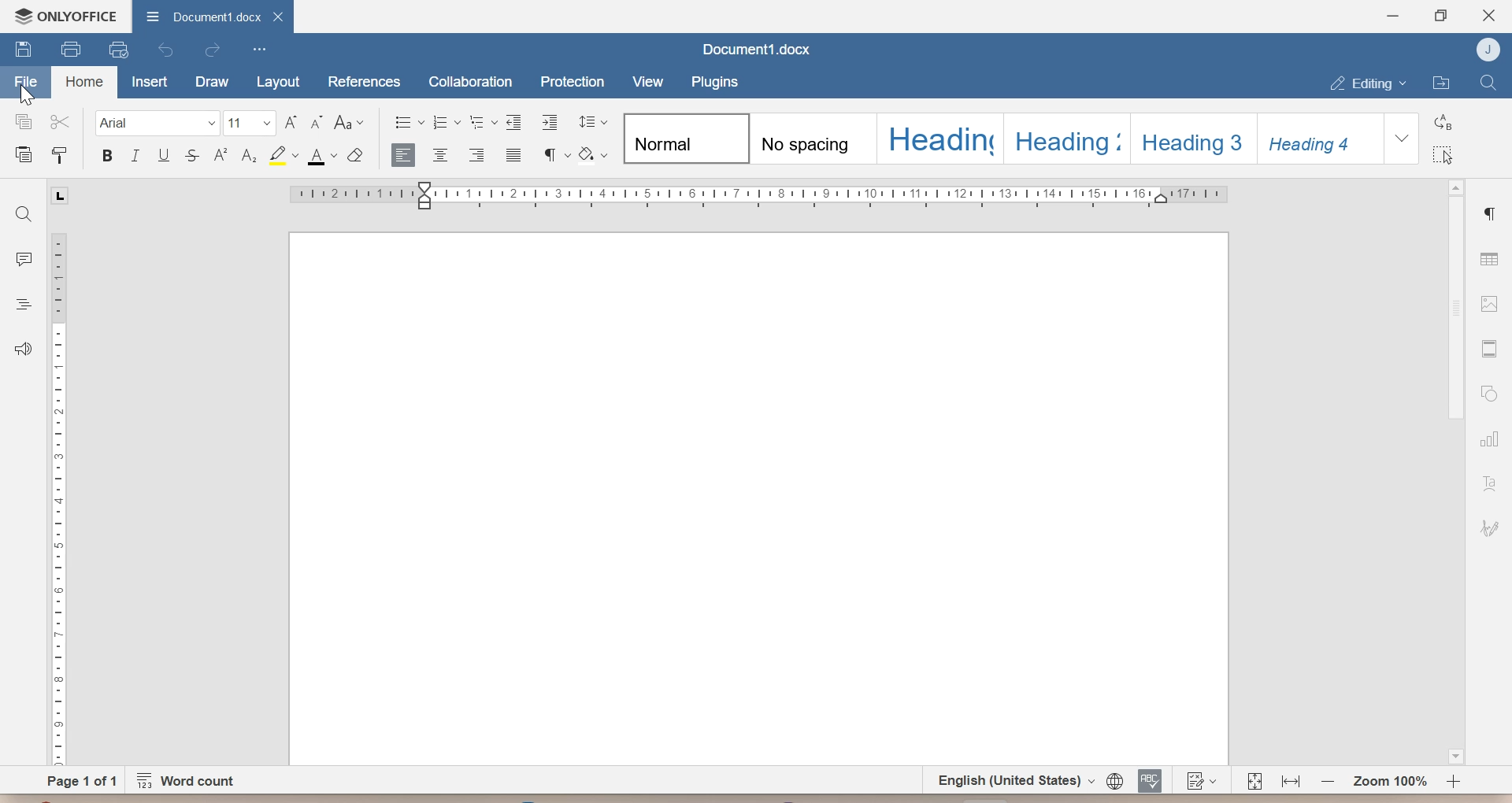  What do you see at coordinates (20, 16) in the screenshot?
I see `onlyoffice logo` at bounding box center [20, 16].